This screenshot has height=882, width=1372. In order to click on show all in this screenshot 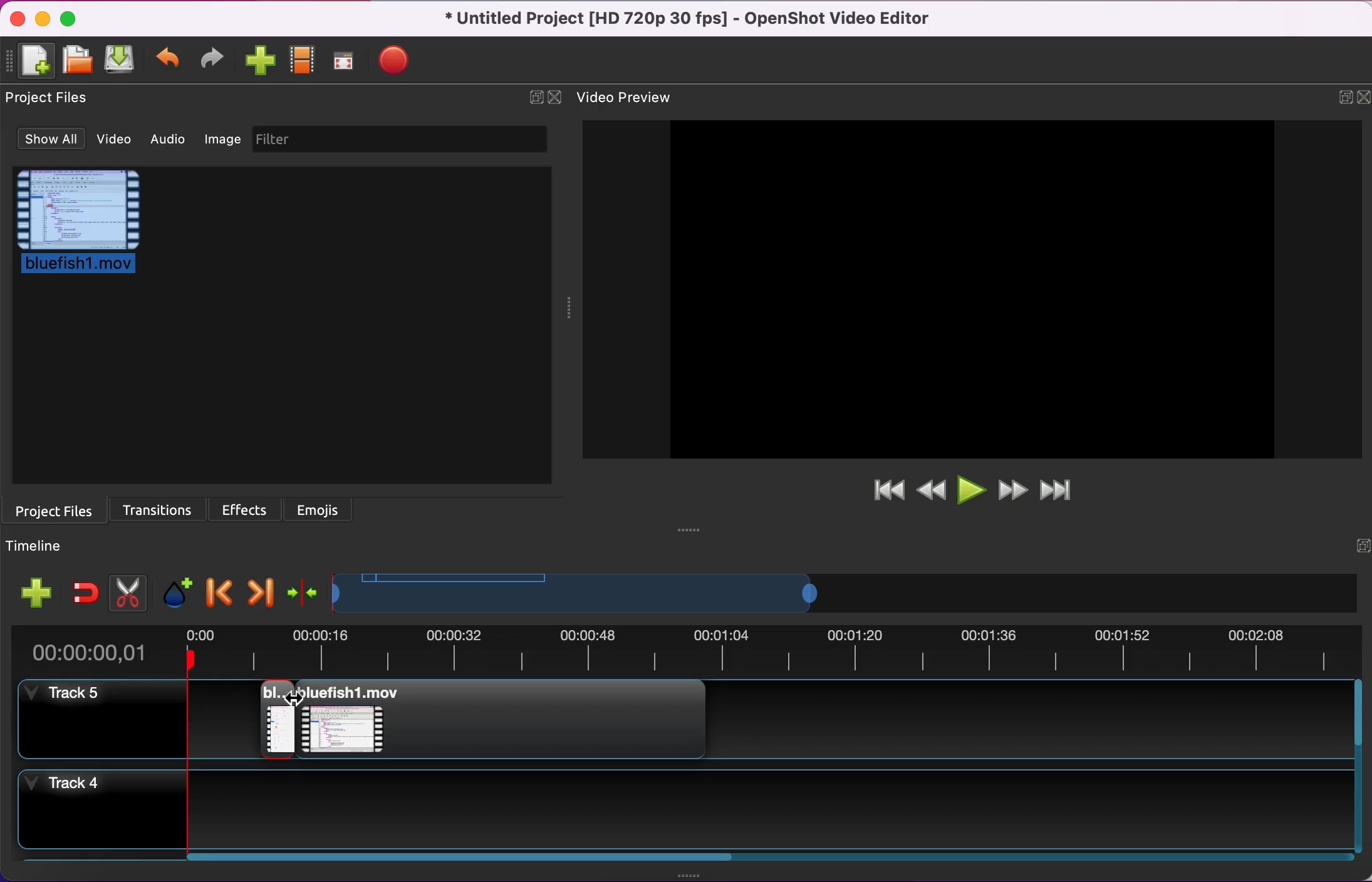, I will do `click(46, 140)`.